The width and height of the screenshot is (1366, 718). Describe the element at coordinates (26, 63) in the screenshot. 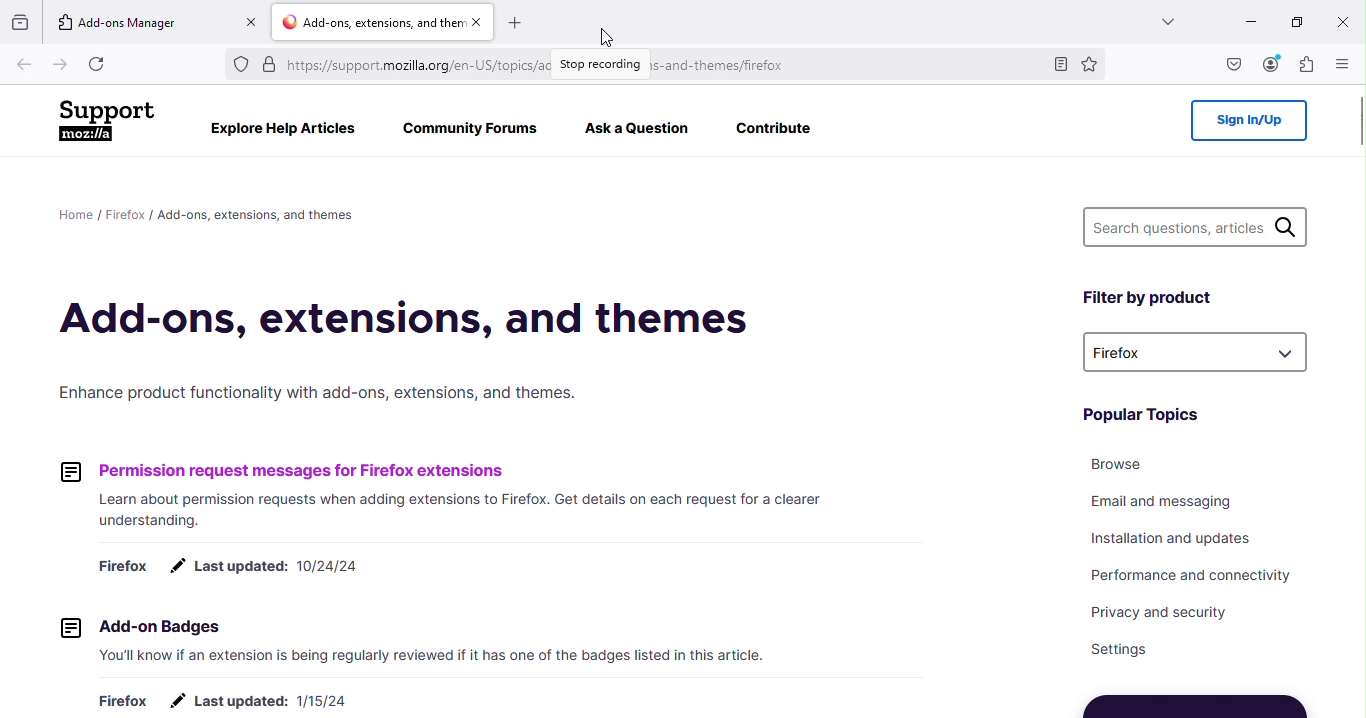

I see `Go back one page` at that location.